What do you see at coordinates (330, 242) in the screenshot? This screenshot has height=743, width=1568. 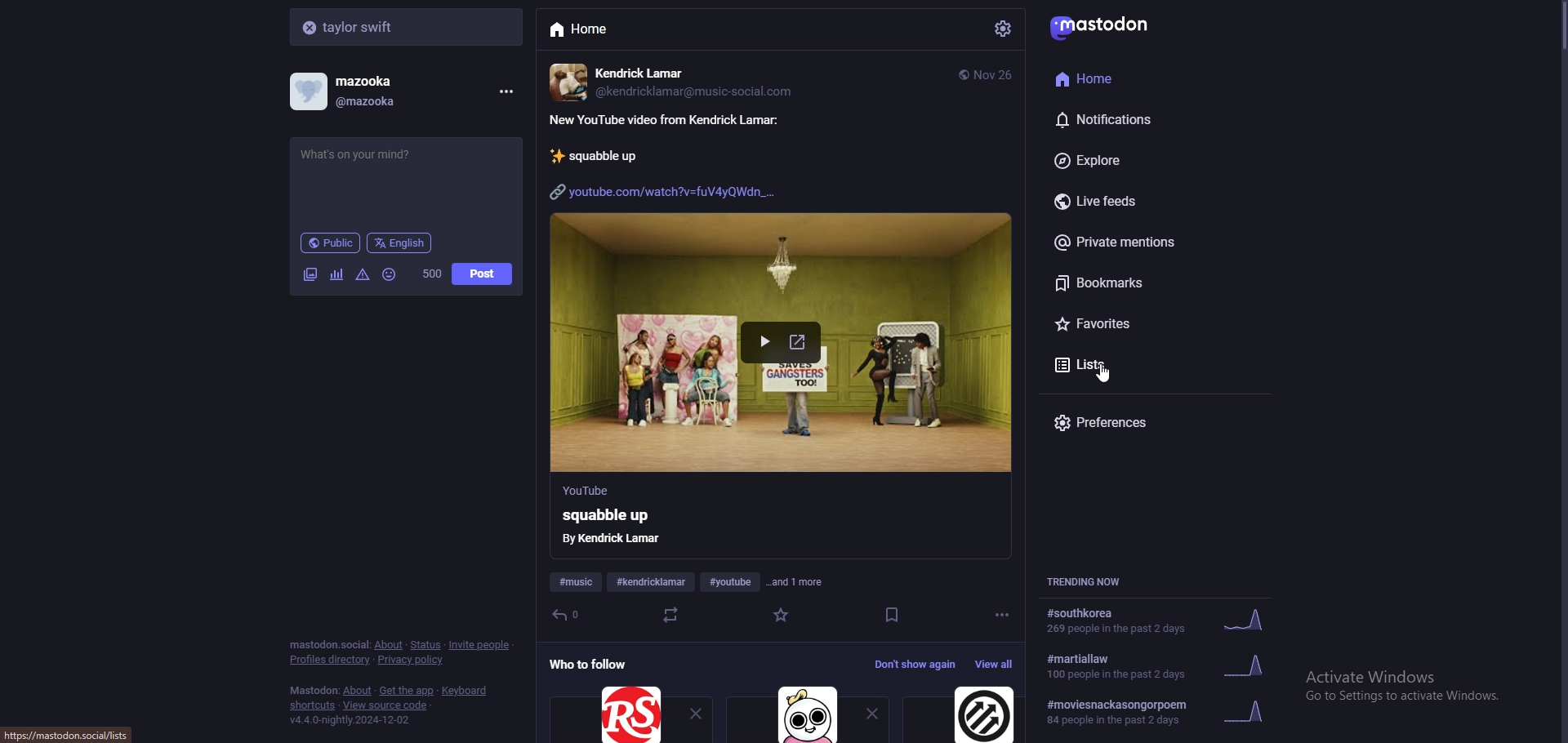 I see `audience` at bounding box center [330, 242].